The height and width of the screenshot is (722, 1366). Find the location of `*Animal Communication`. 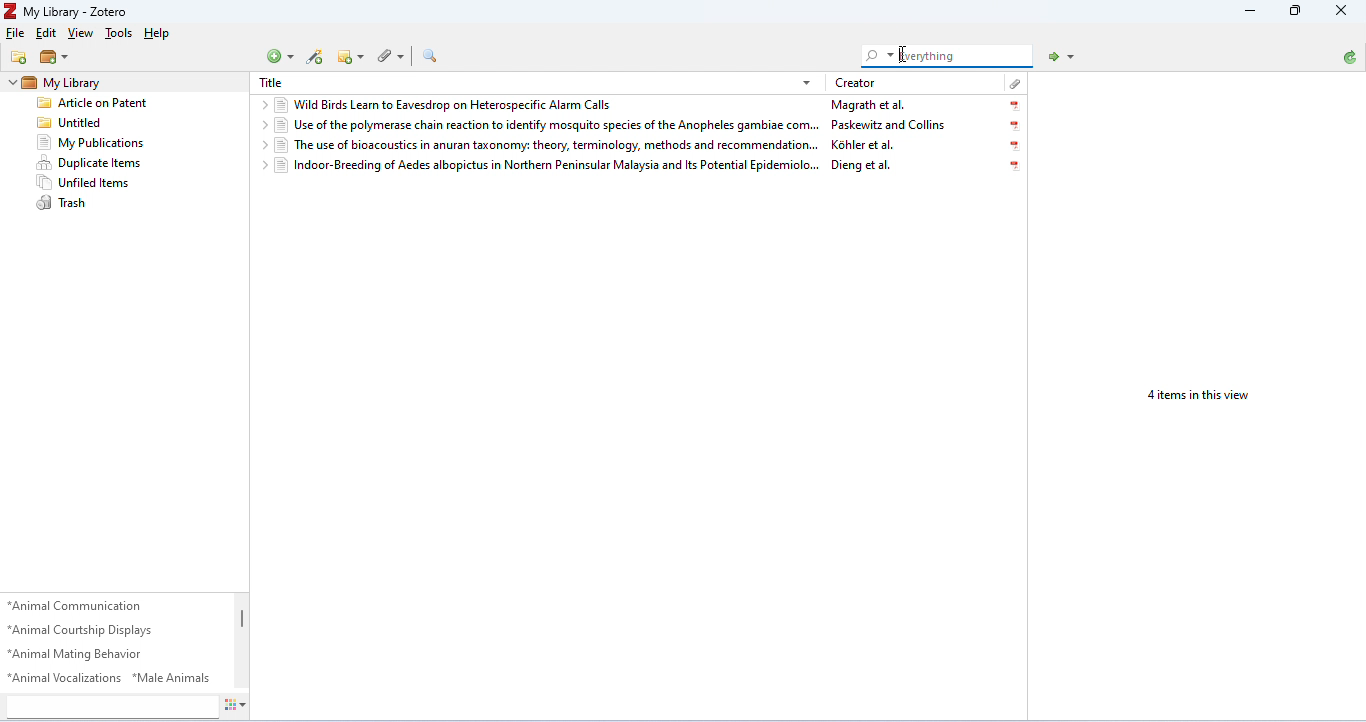

*Animal Communication is located at coordinates (80, 606).